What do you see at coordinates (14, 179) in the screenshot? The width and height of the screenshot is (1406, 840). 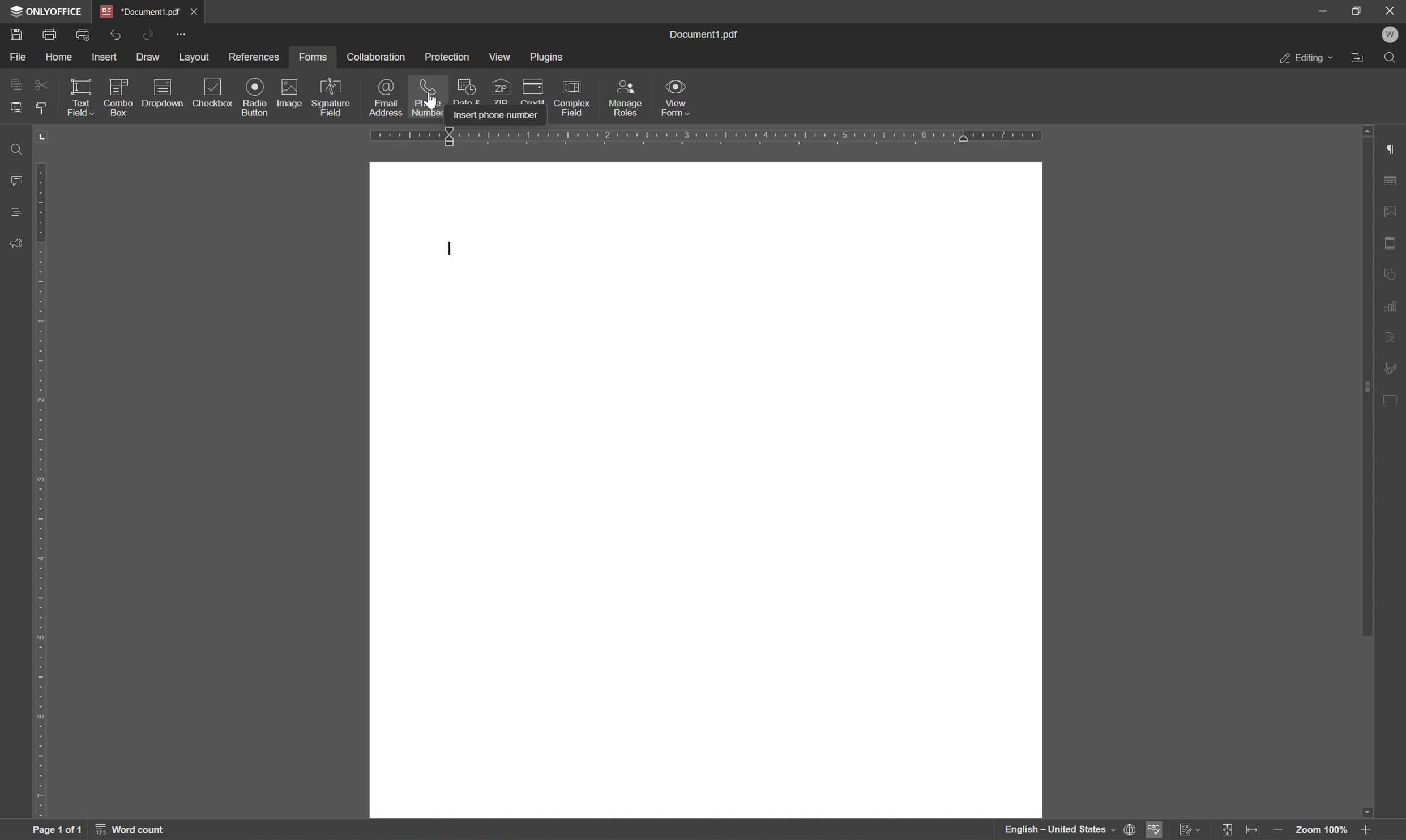 I see `comments` at bounding box center [14, 179].